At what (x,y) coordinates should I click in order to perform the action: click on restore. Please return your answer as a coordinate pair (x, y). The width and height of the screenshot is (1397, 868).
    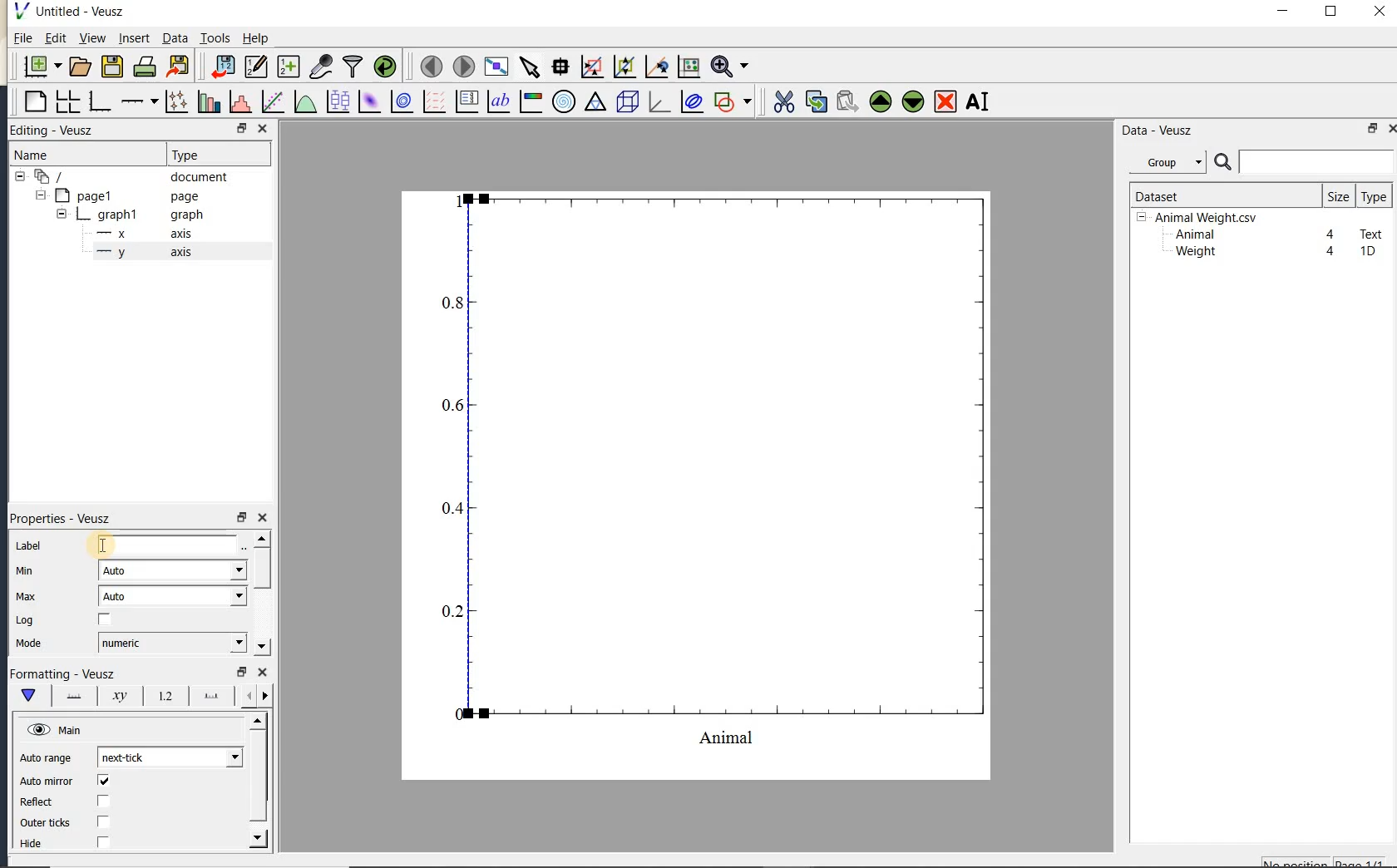
    Looking at the image, I should click on (240, 518).